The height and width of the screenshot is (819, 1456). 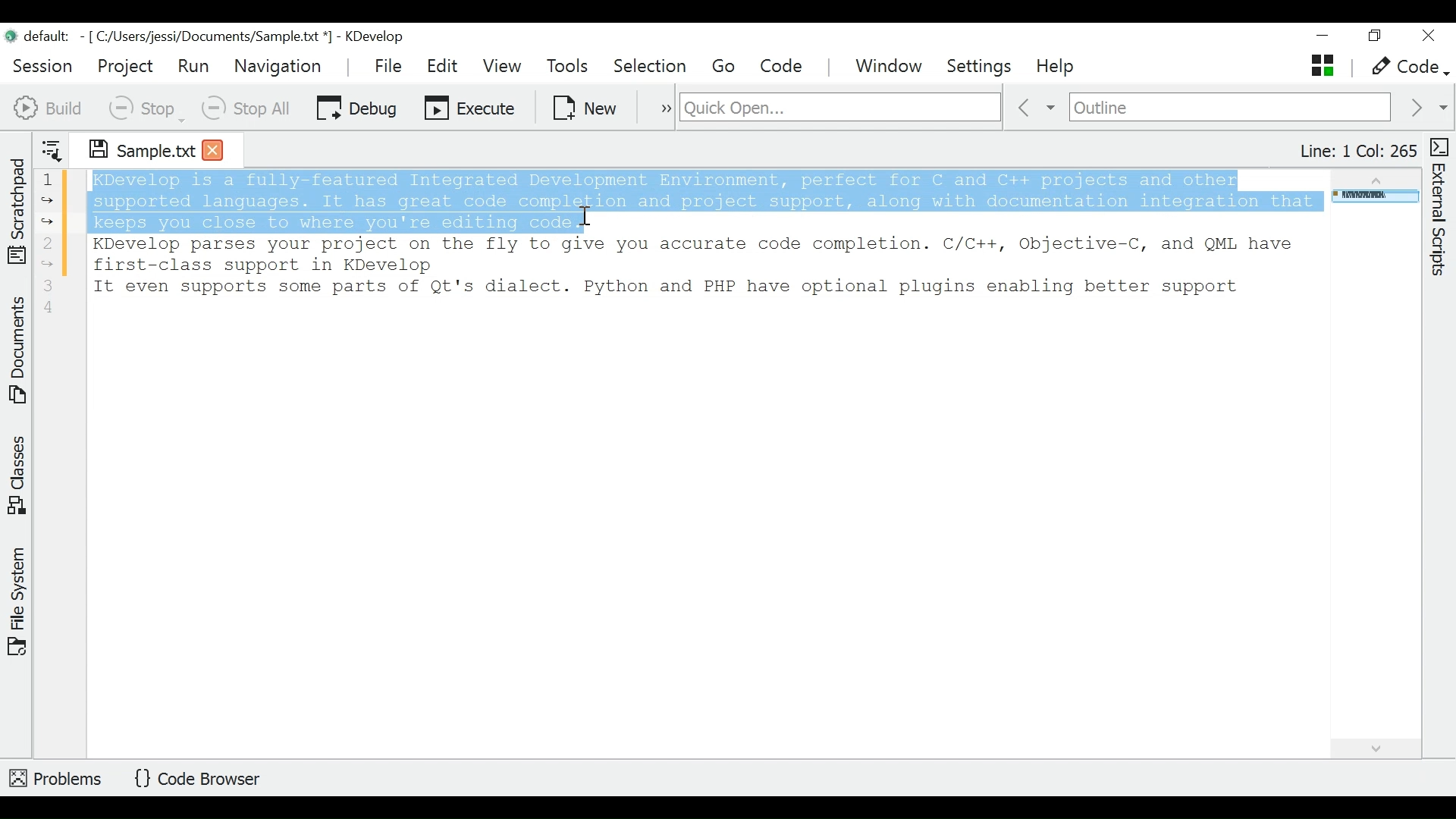 I want to click on Quick Open..., so click(x=838, y=108).